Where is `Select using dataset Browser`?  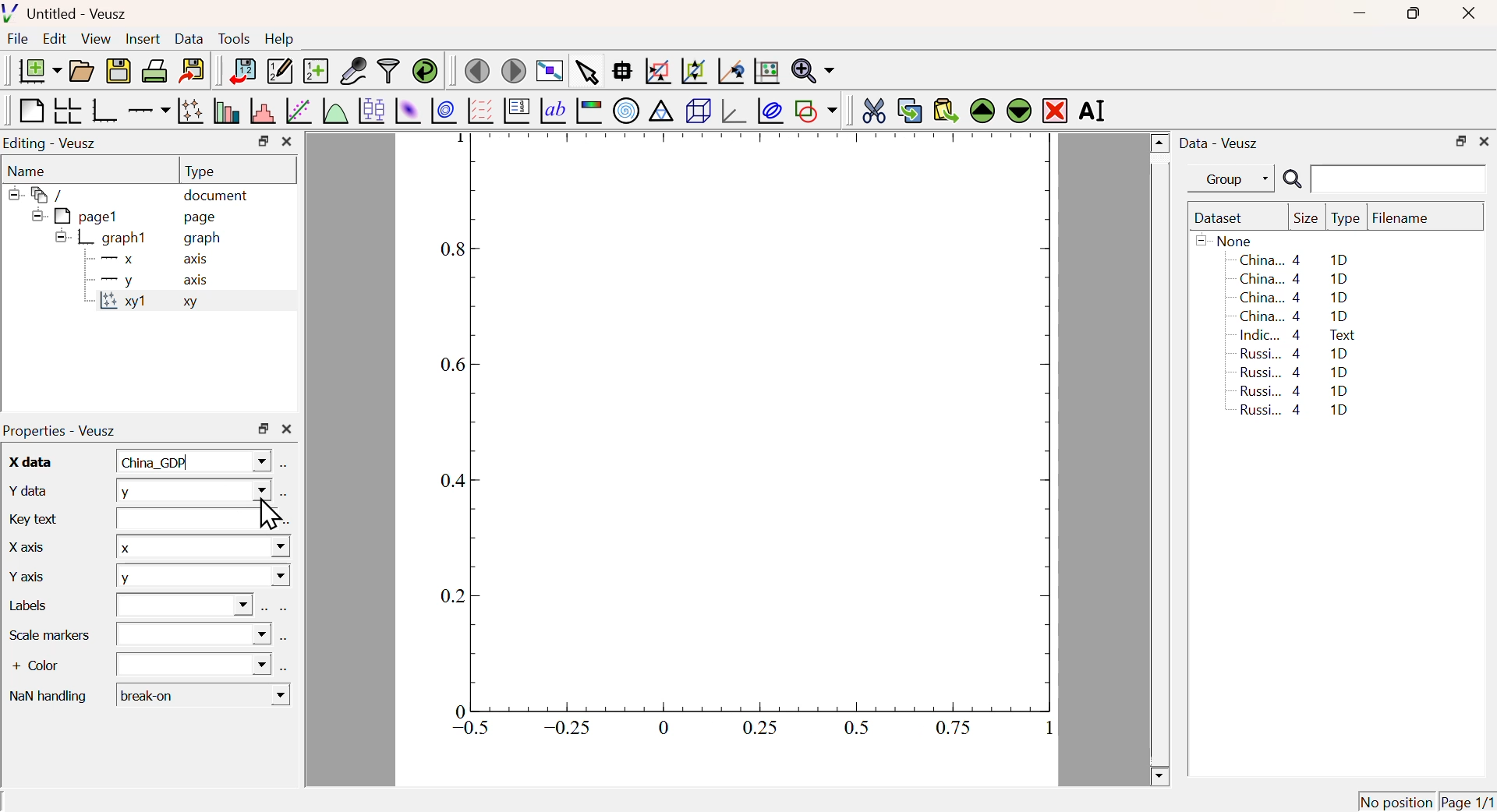 Select using dataset Browser is located at coordinates (285, 642).